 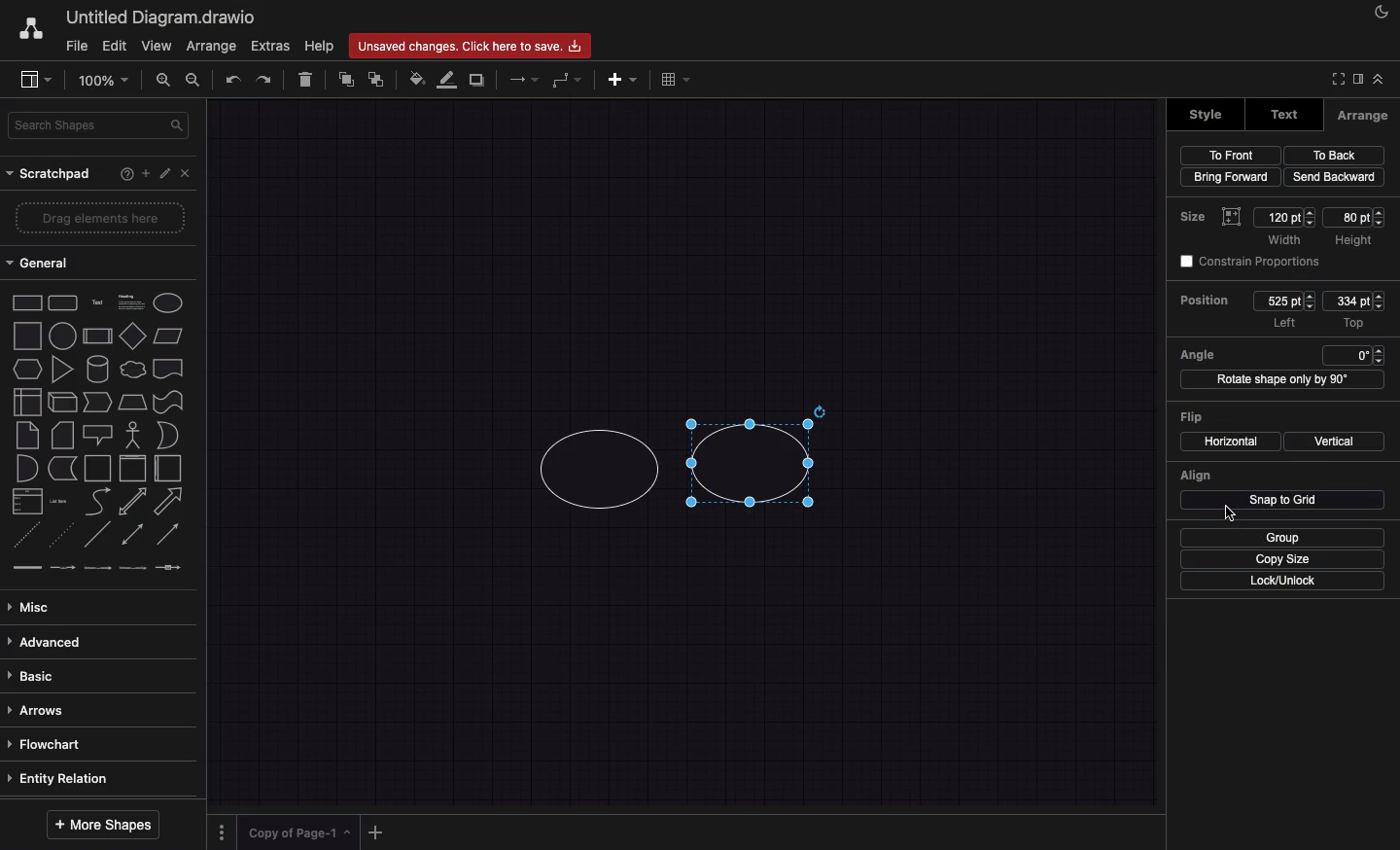 What do you see at coordinates (1283, 324) in the screenshot?
I see `left` at bounding box center [1283, 324].